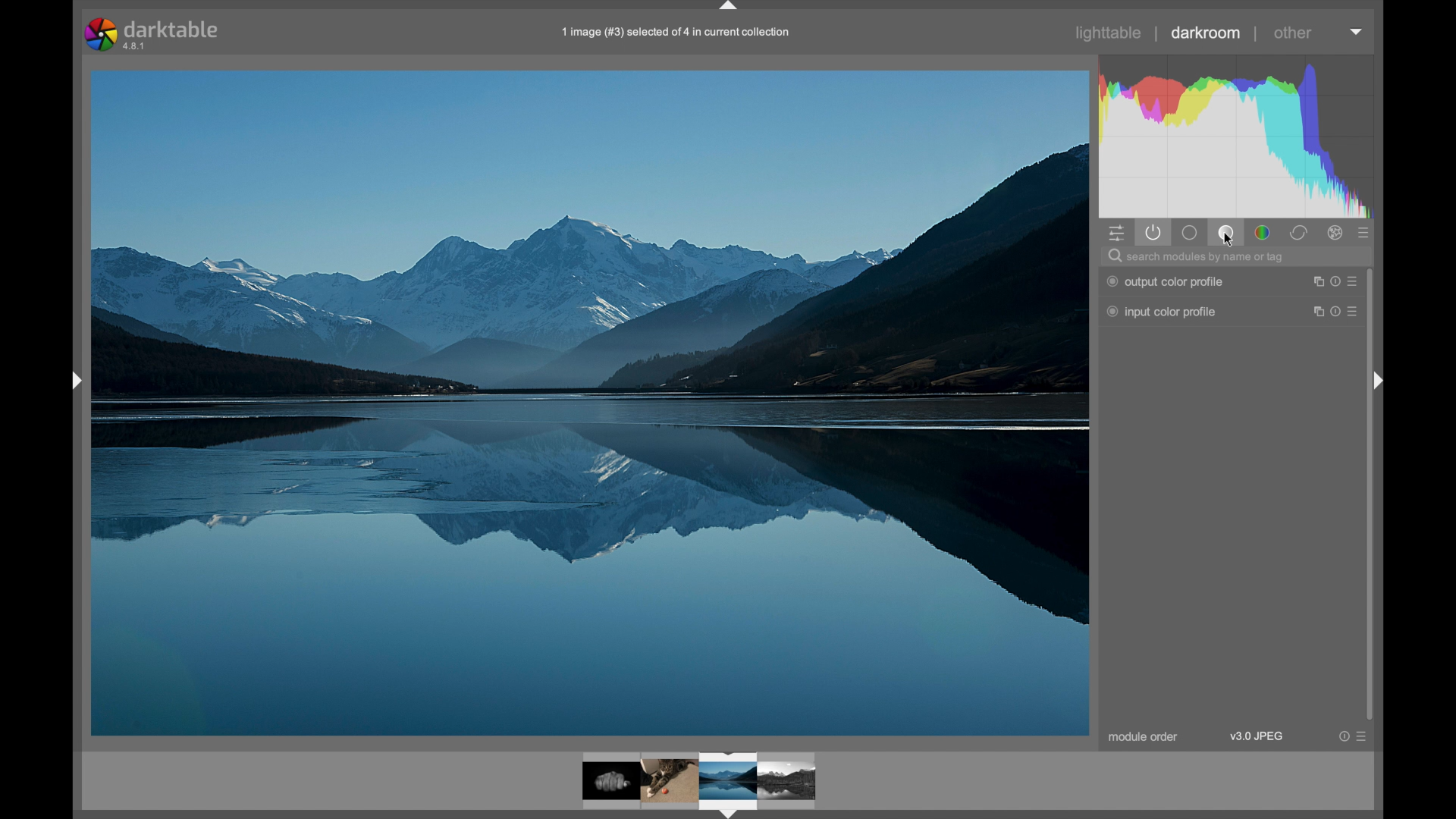 Image resolution: width=1456 pixels, height=819 pixels. I want to click on correct, so click(1298, 233).